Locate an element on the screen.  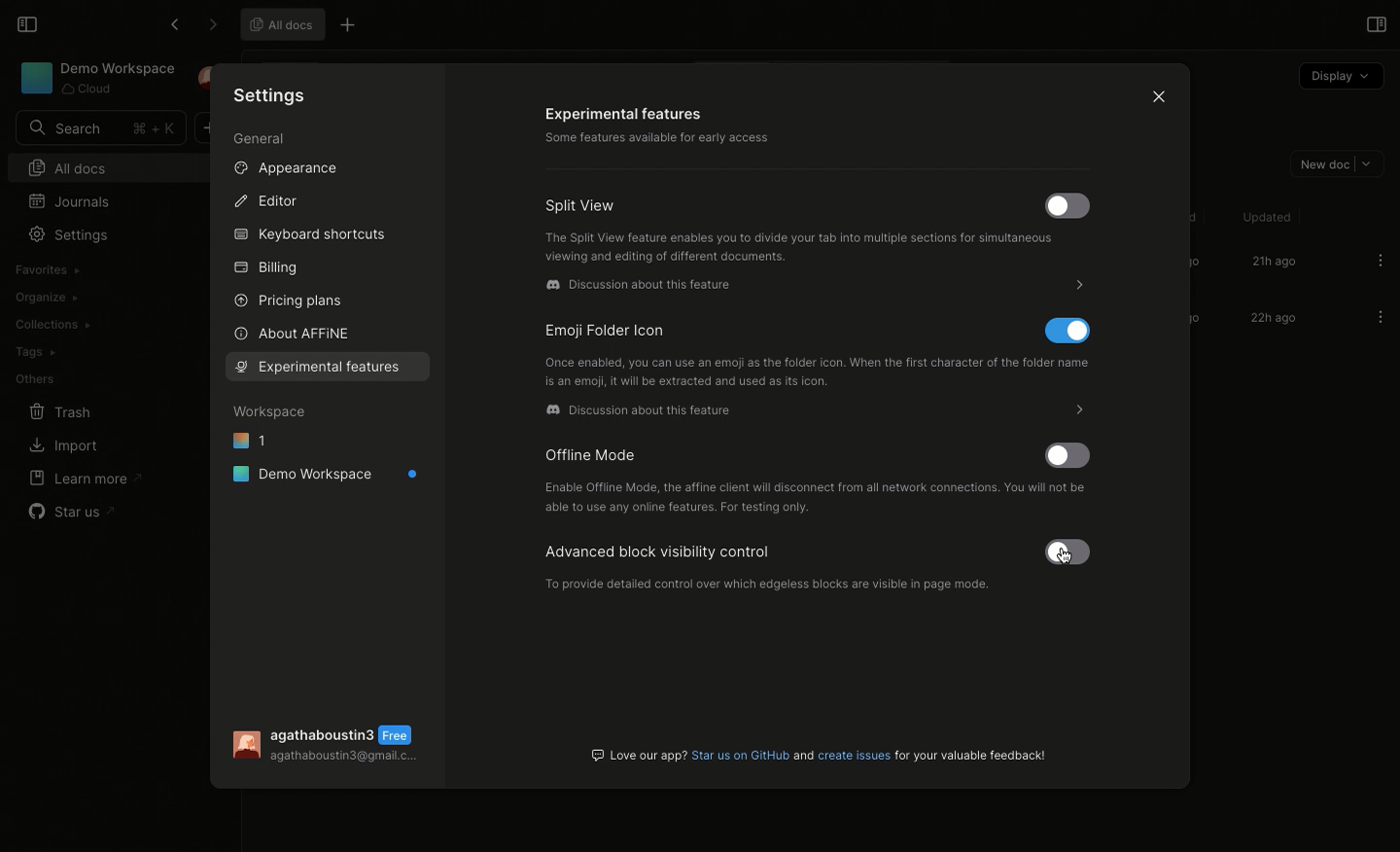
Search bar is located at coordinates (98, 128).